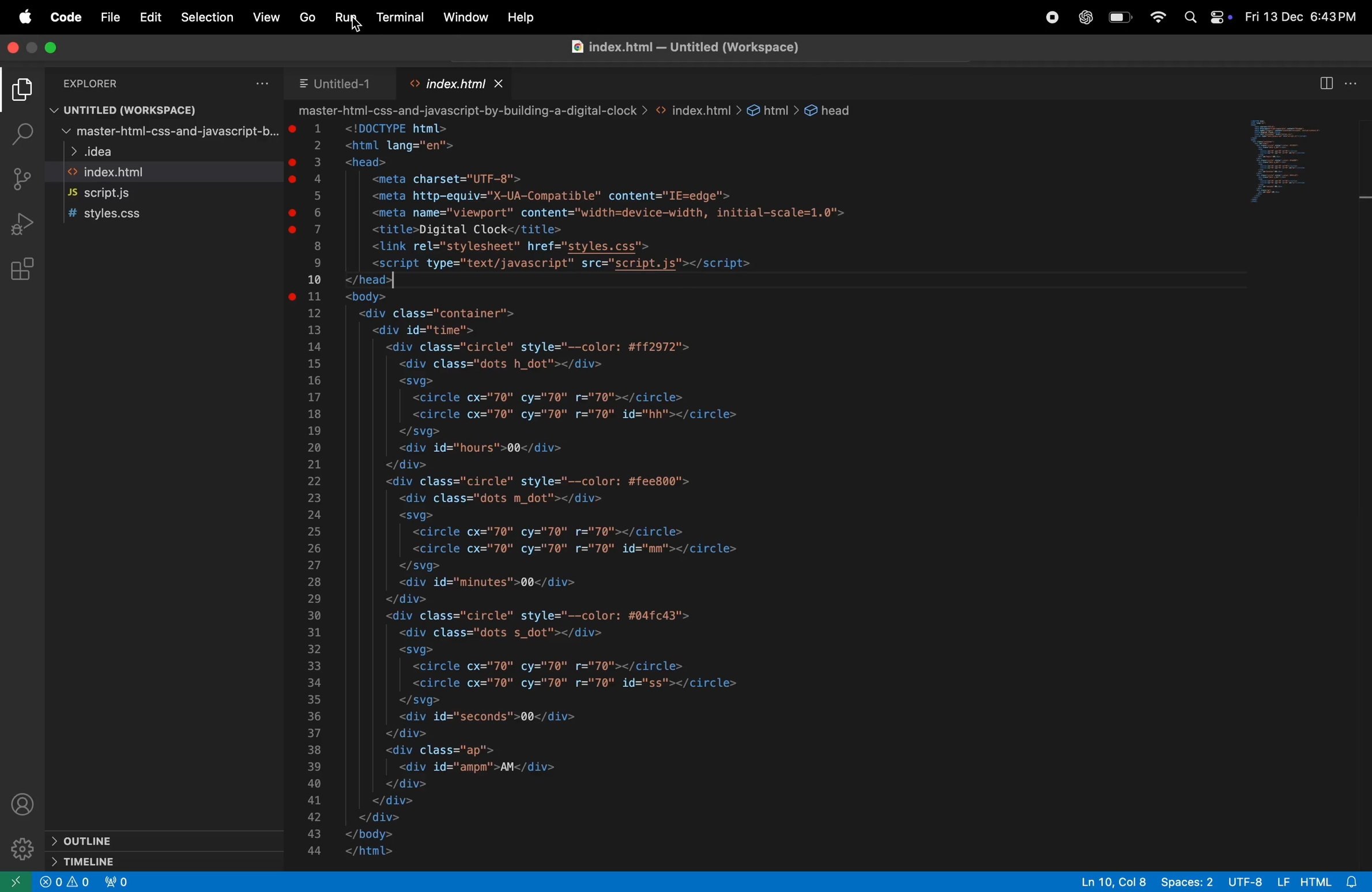  Describe the element at coordinates (749, 486) in the screenshot. I see `code block written in html language for a web page layout` at that location.